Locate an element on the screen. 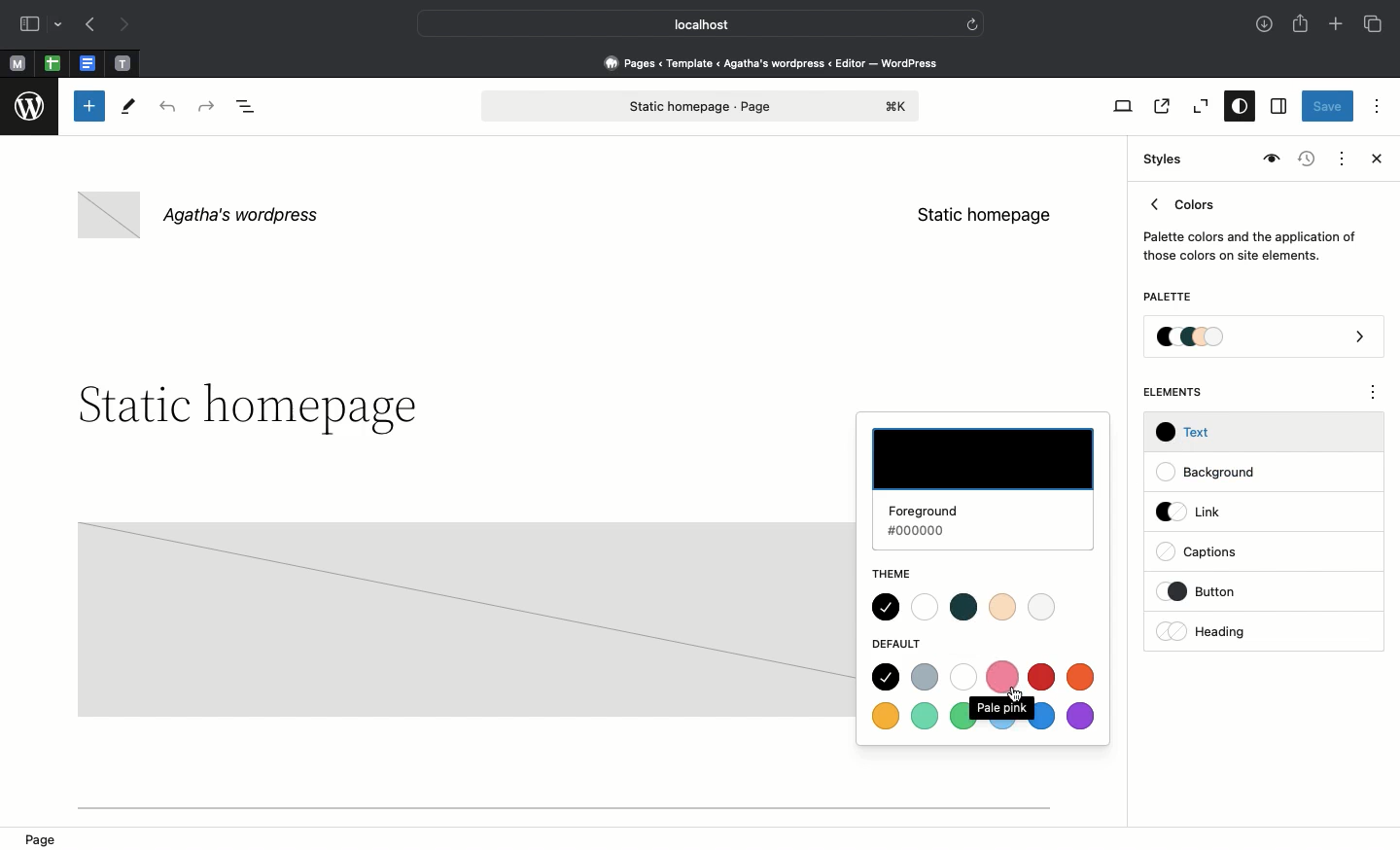 The width and height of the screenshot is (1400, 850). Page is located at coordinates (701, 106).